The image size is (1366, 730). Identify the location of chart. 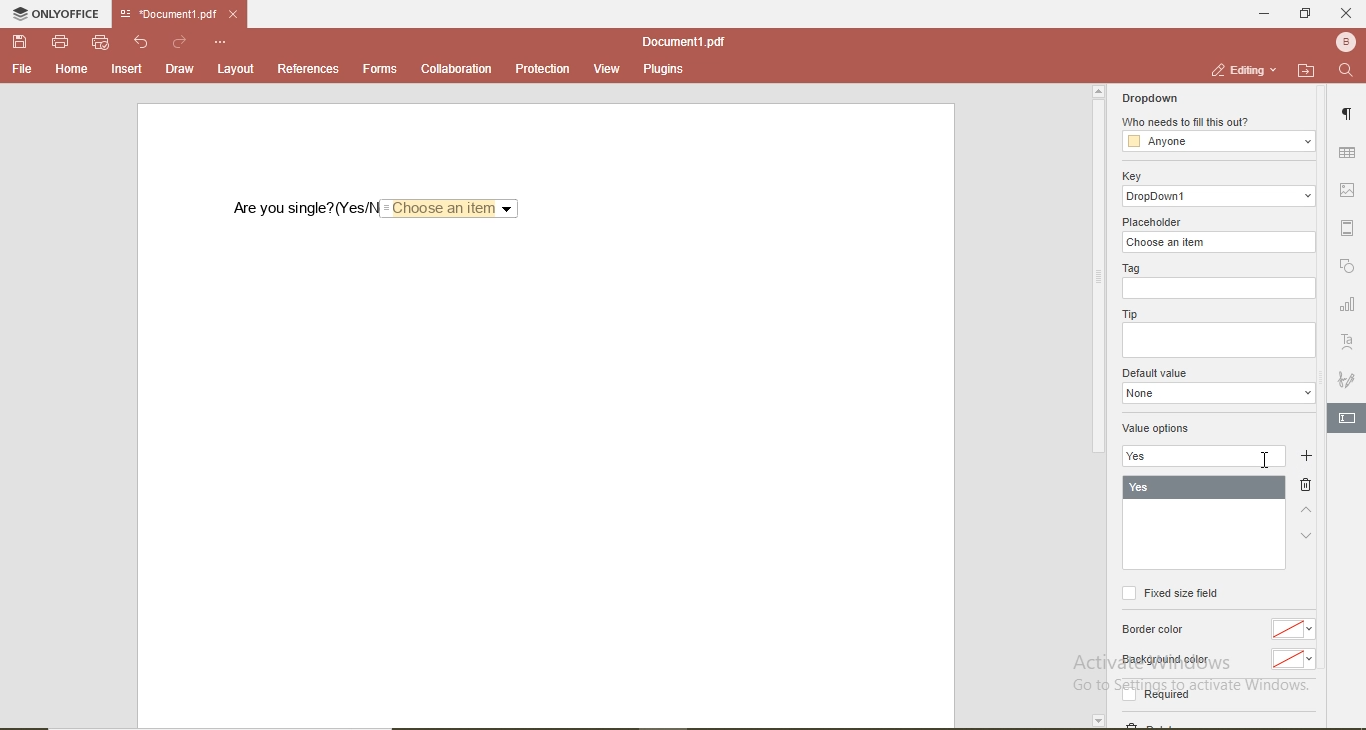
(1348, 304).